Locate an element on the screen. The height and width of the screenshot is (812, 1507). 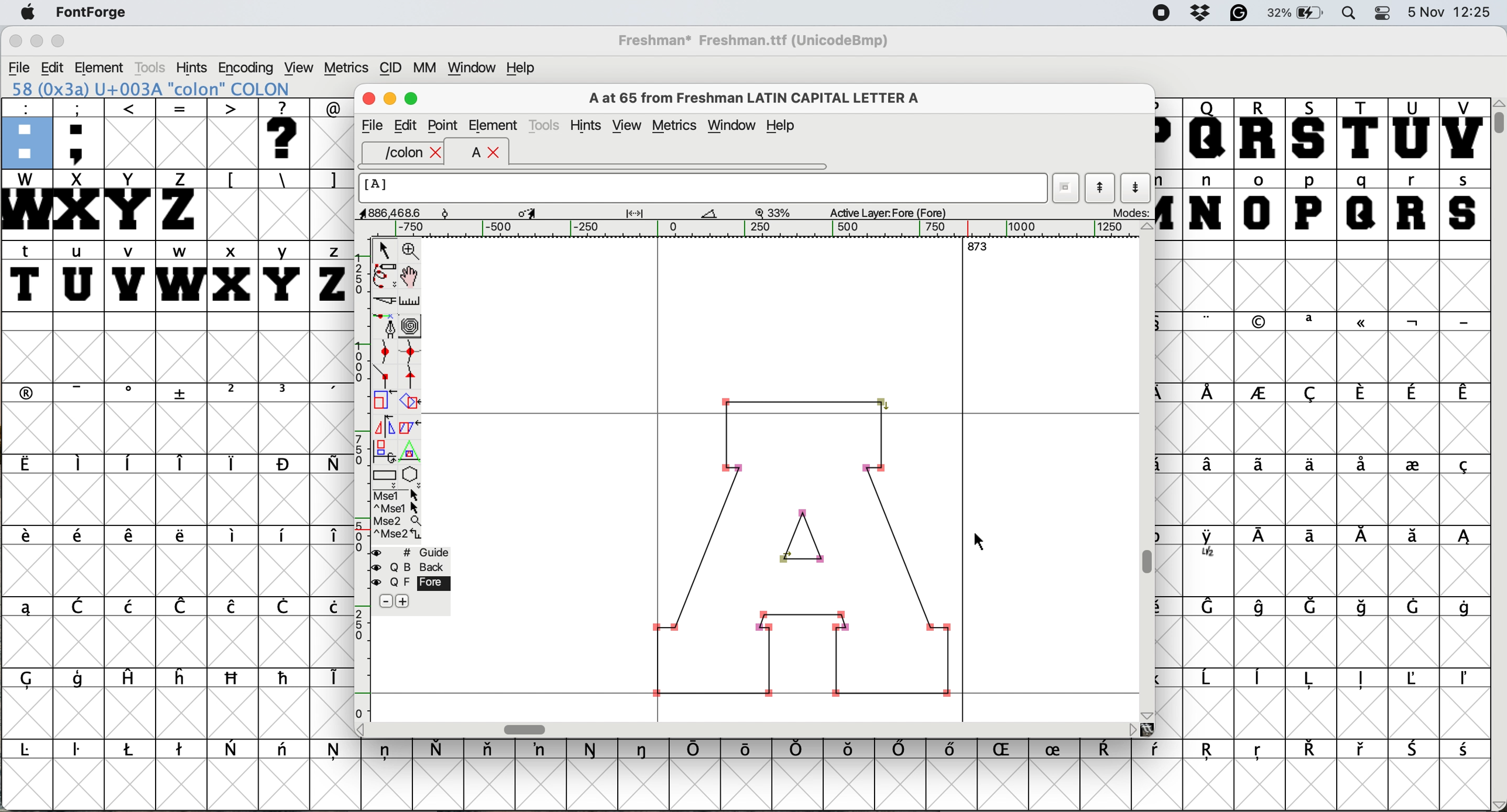
symbol is located at coordinates (1418, 678).